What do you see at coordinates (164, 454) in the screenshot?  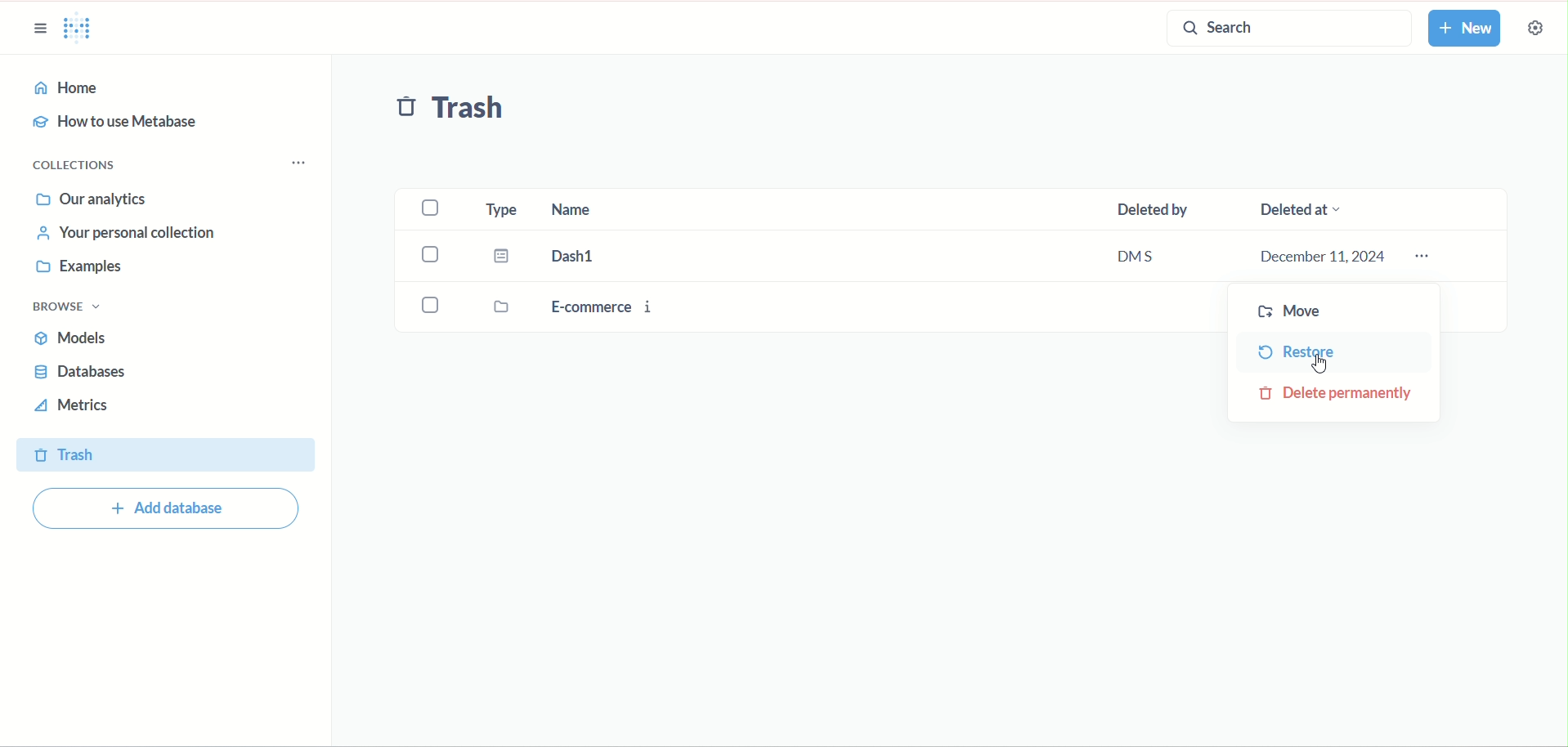 I see `trash` at bounding box center [164, 454].